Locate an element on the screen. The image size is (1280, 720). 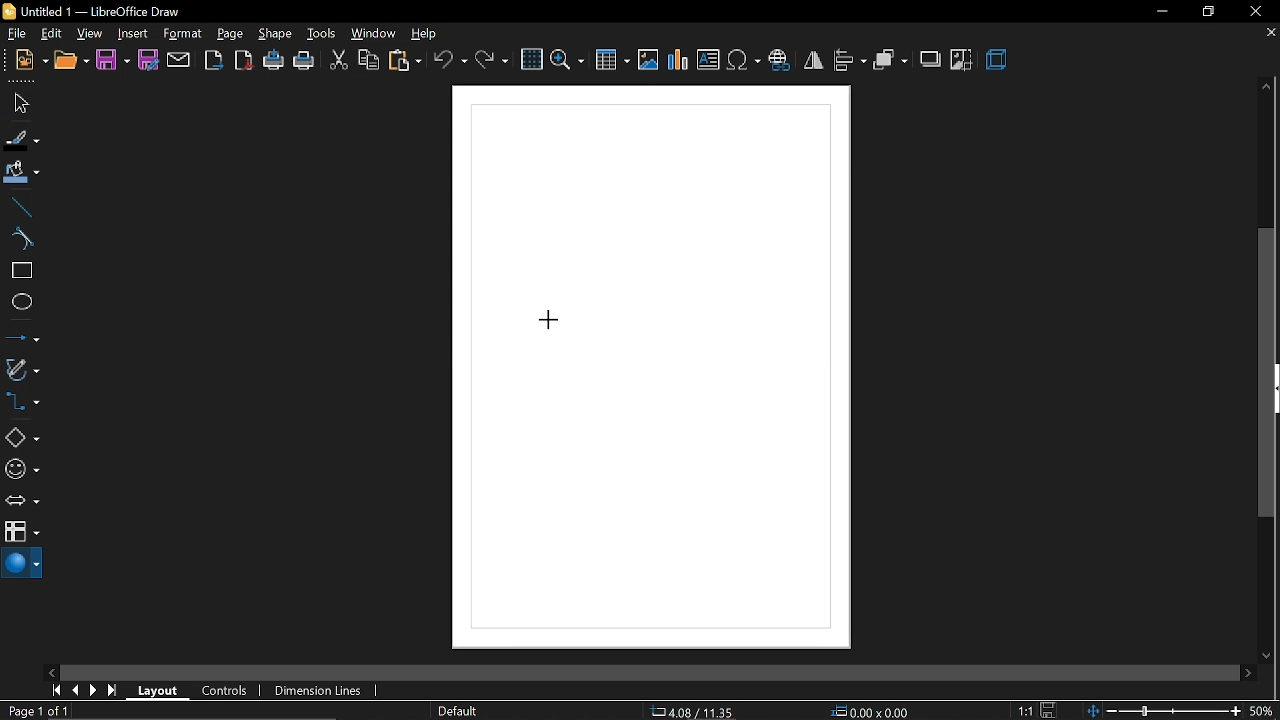
close is located at coordinates (1253, 11).